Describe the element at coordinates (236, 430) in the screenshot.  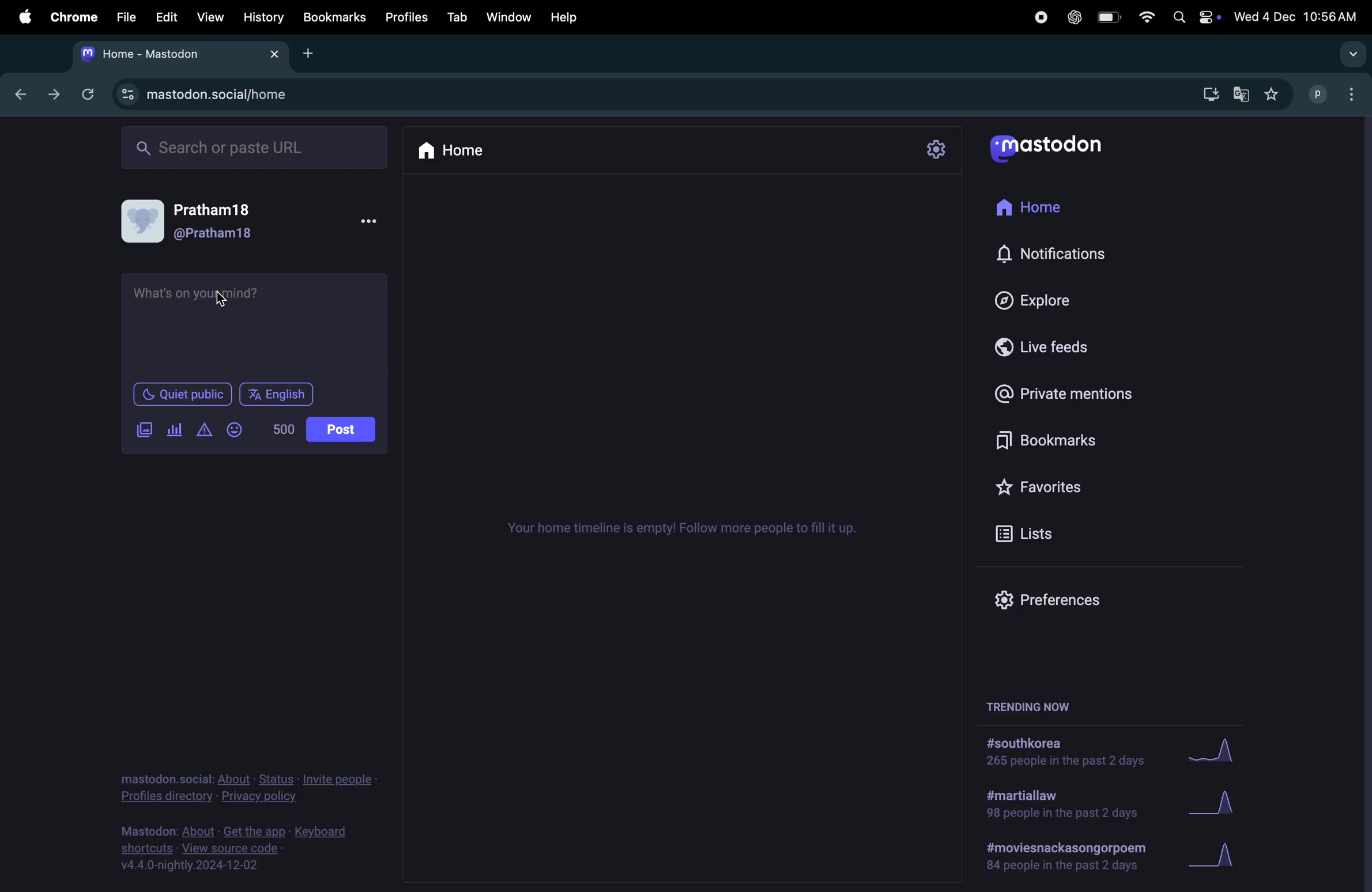
I see `emoji` at that location.